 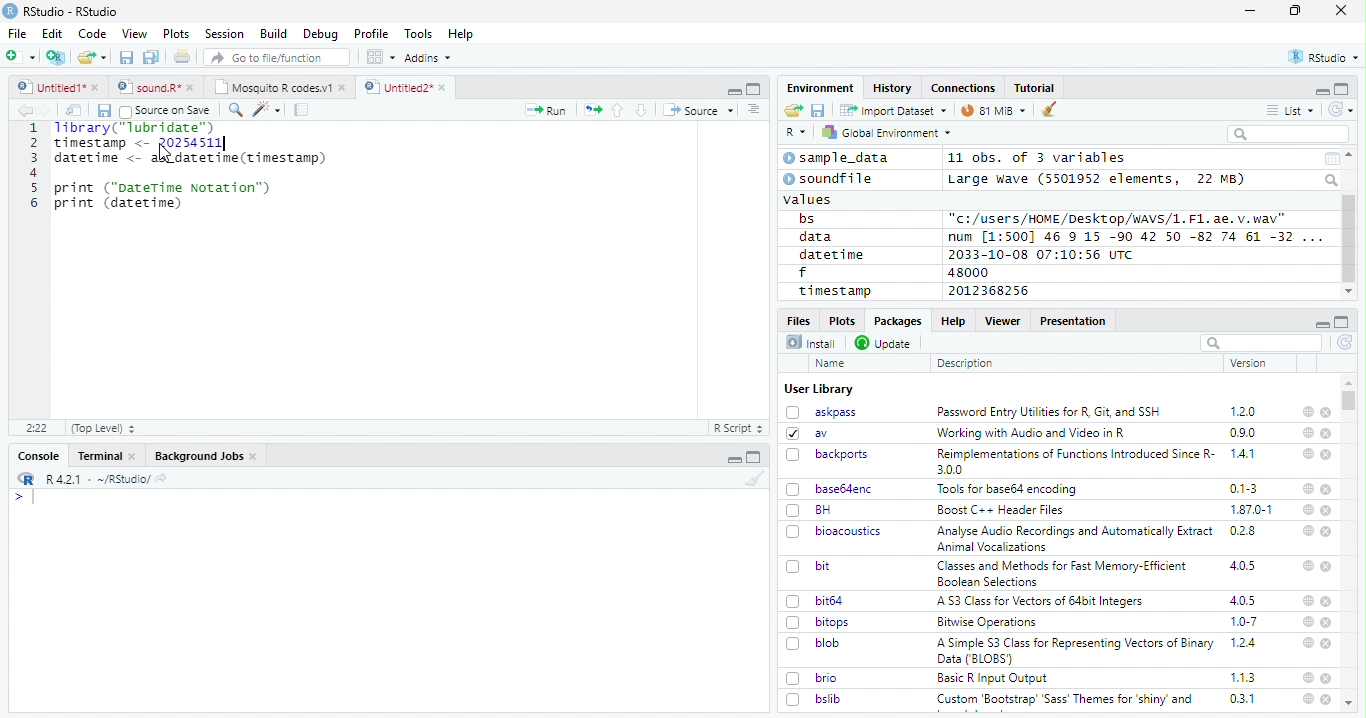 What do you see at coordinates (819, 622) in the screenshot?
I see `bitops` at bounding box center [819, 622].